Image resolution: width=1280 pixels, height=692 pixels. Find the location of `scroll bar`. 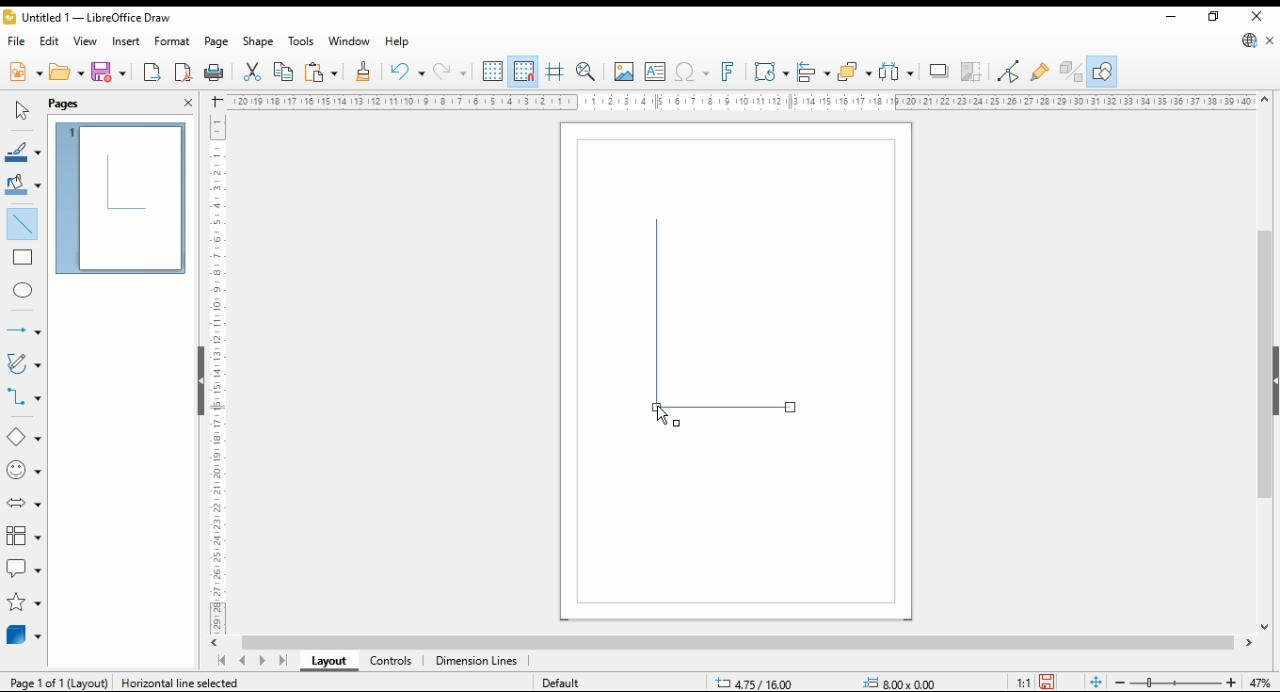

scroll bar is located at coordinates (1264, 363).